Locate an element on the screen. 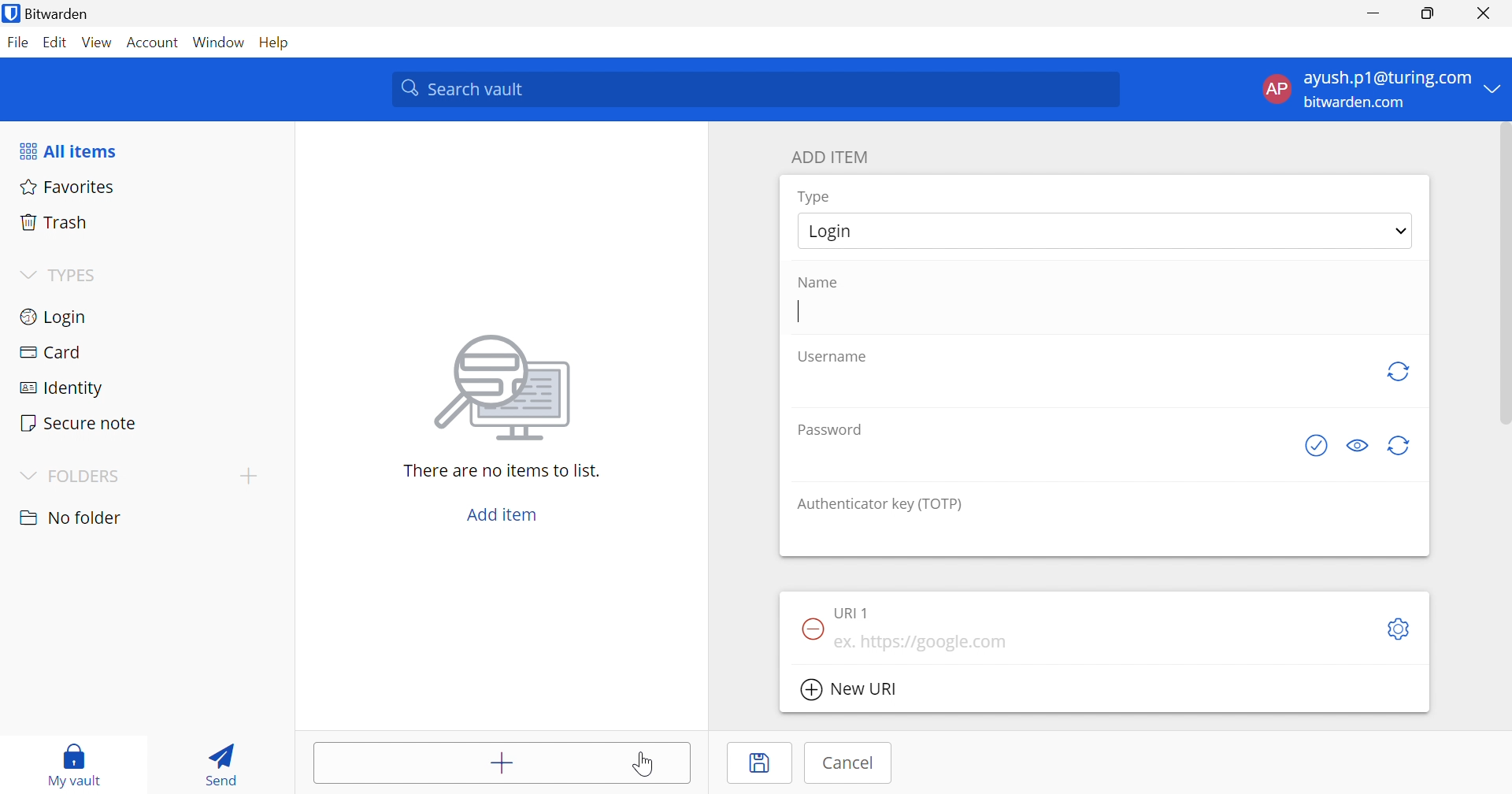  Cursor is located at coordinates (643, 765).